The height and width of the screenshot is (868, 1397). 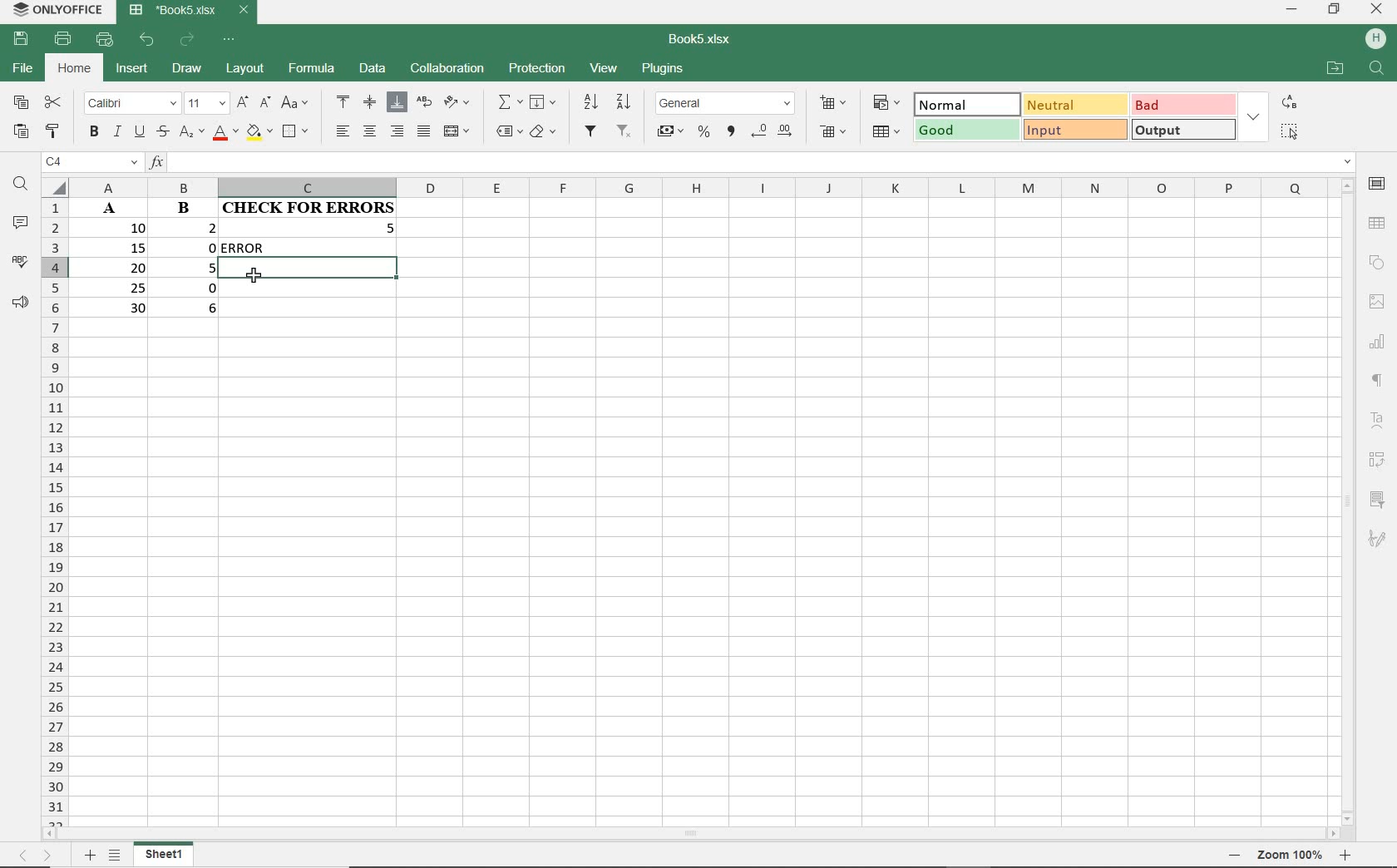 I want to click on NAMED RANGES, so click(x=506, y=131).